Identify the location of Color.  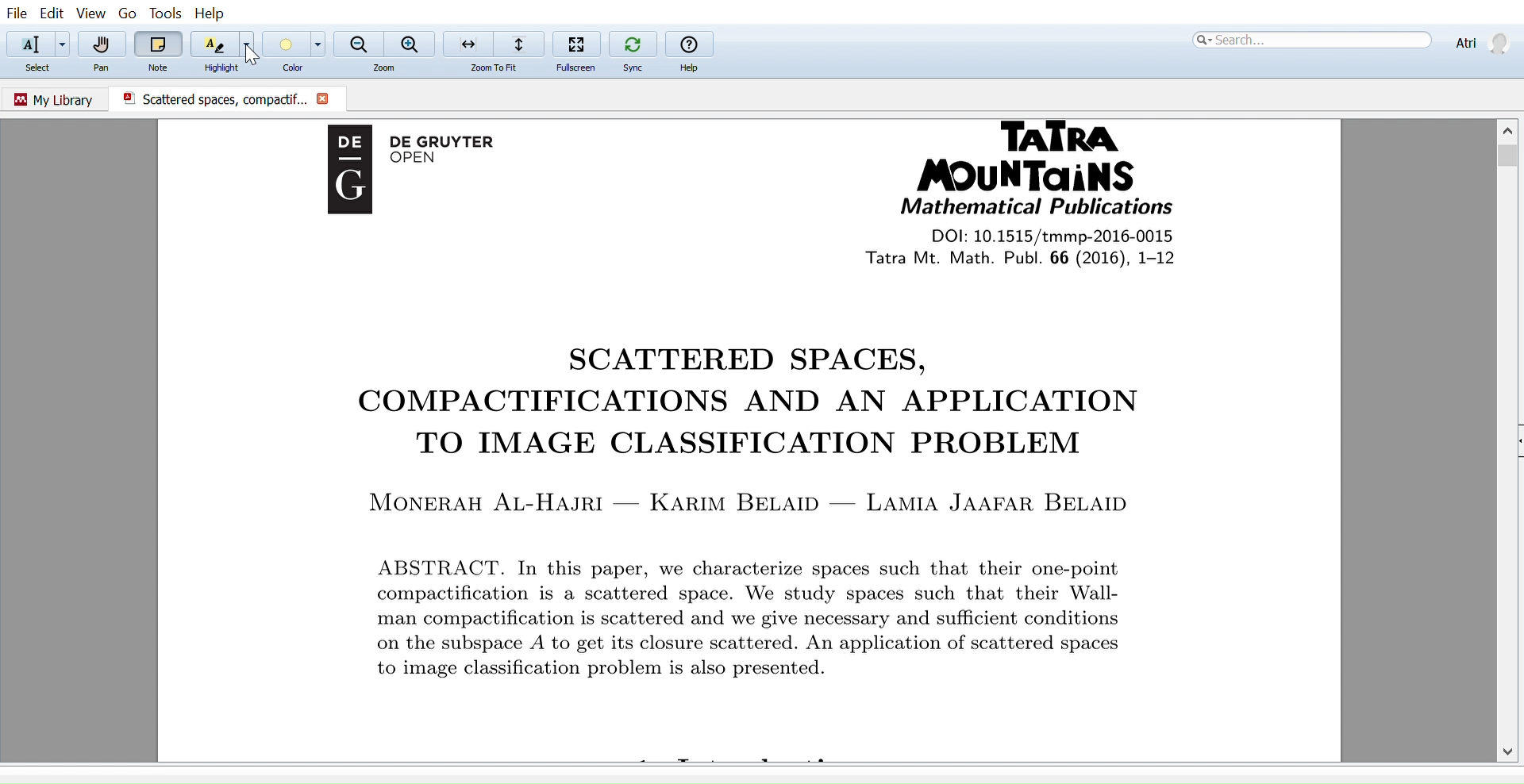
(284, 44).